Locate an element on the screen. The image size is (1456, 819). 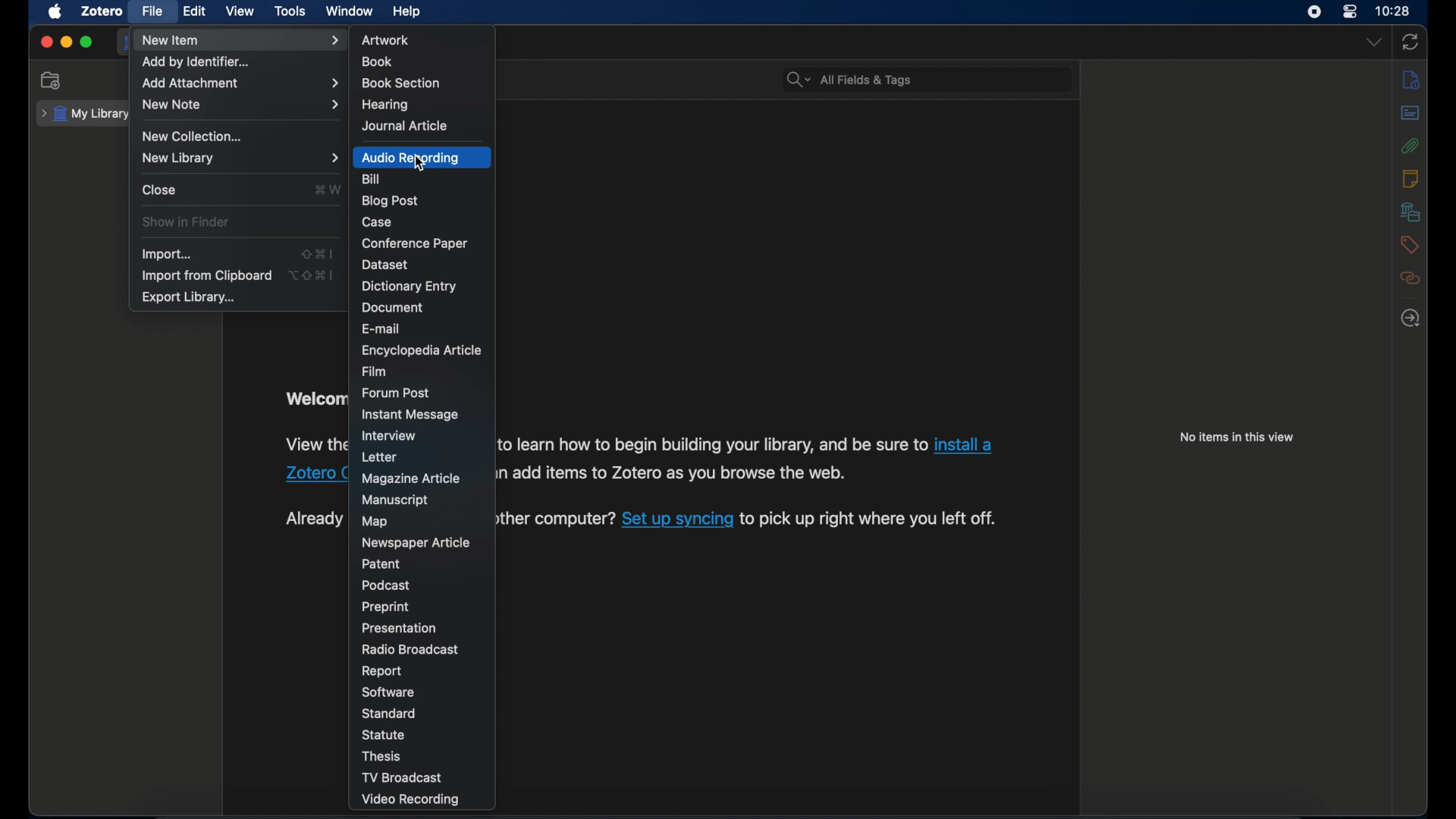
attachments is located at coordinates (1410, 146).